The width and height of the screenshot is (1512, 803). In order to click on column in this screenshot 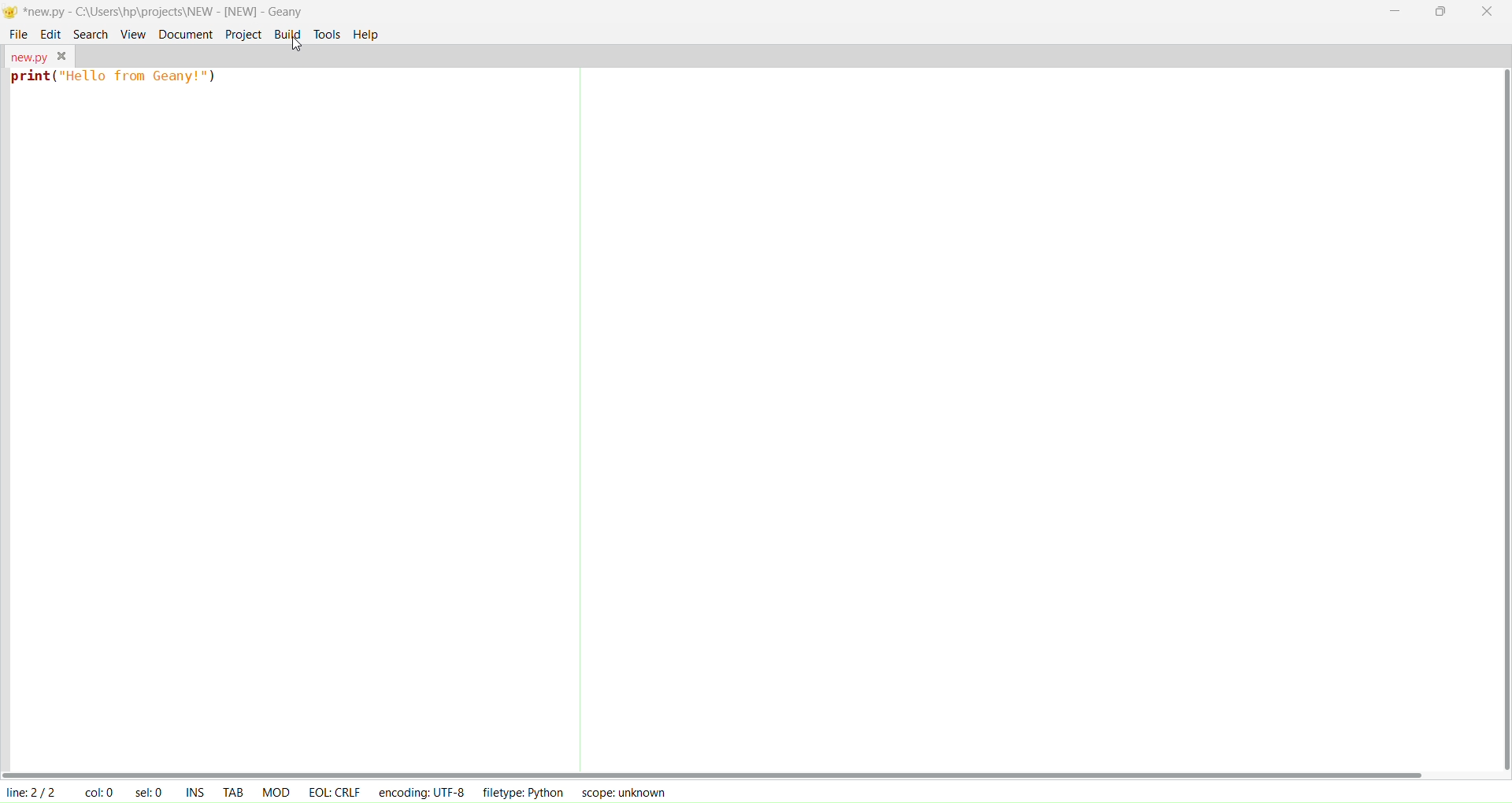, I will do `click(98, 791)`.